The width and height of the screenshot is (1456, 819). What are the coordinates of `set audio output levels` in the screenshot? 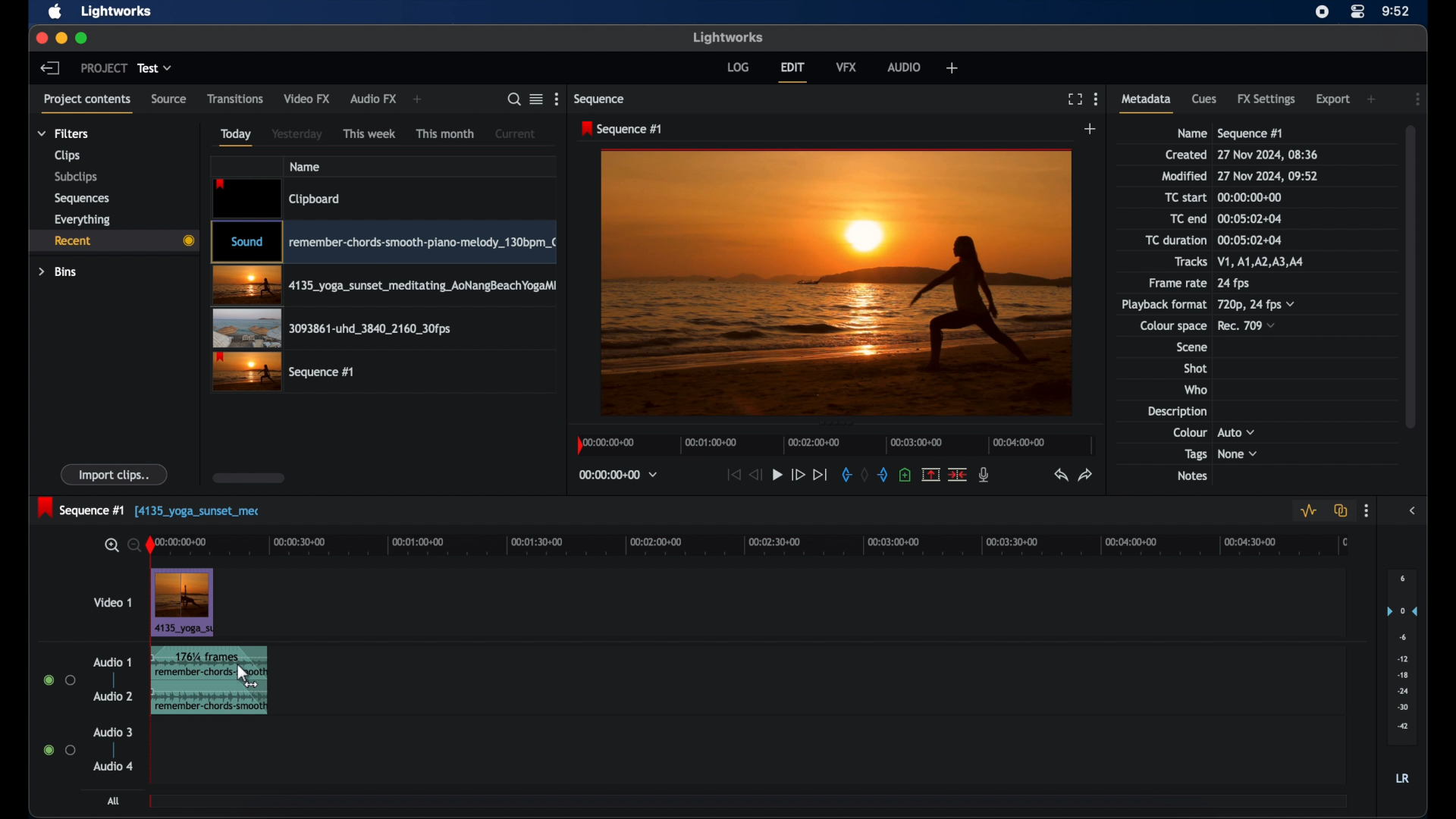 It's located at (1401, 657).